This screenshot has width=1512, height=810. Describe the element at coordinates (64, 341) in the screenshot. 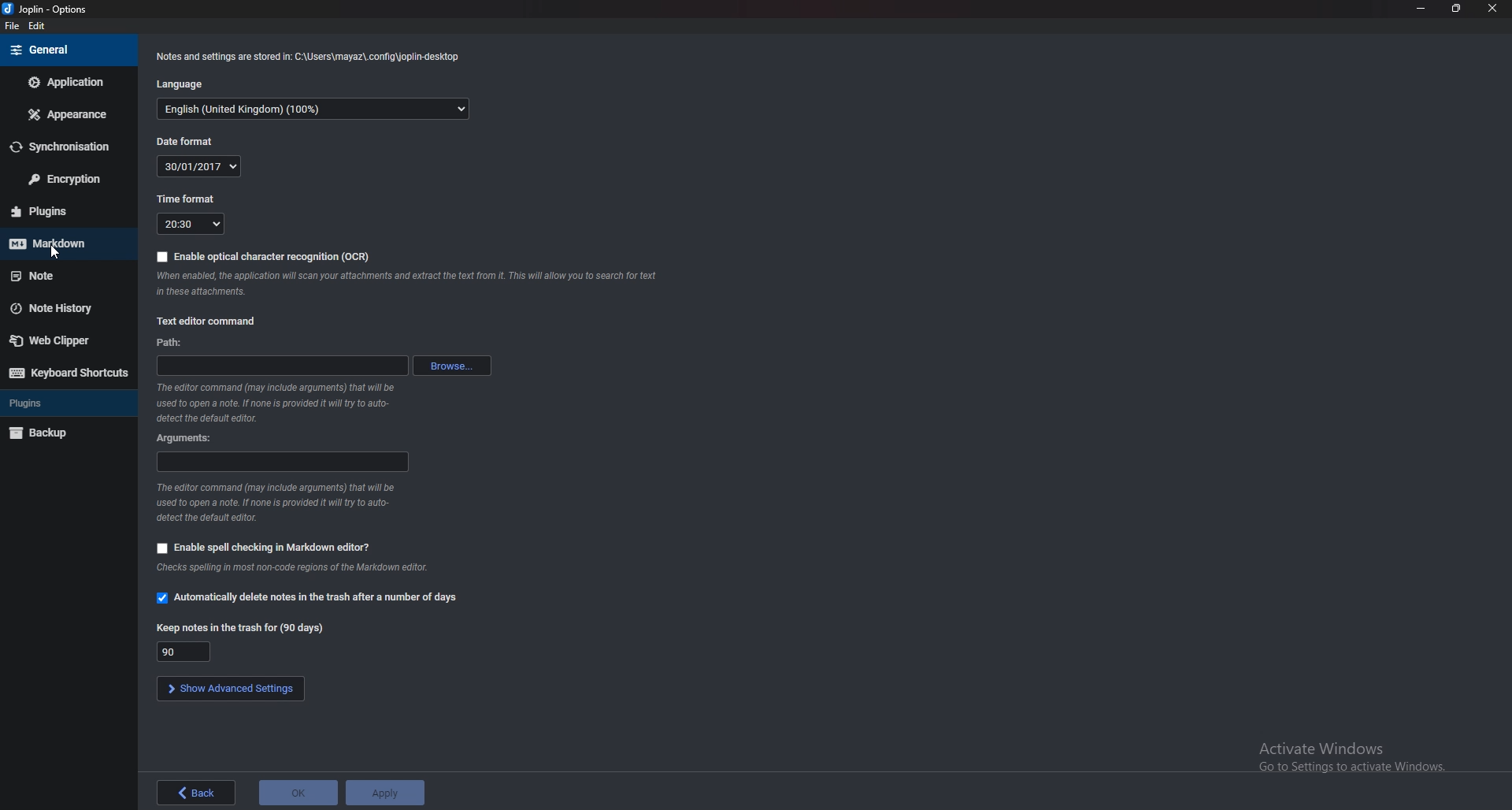

I see `Webclipper` at that location.